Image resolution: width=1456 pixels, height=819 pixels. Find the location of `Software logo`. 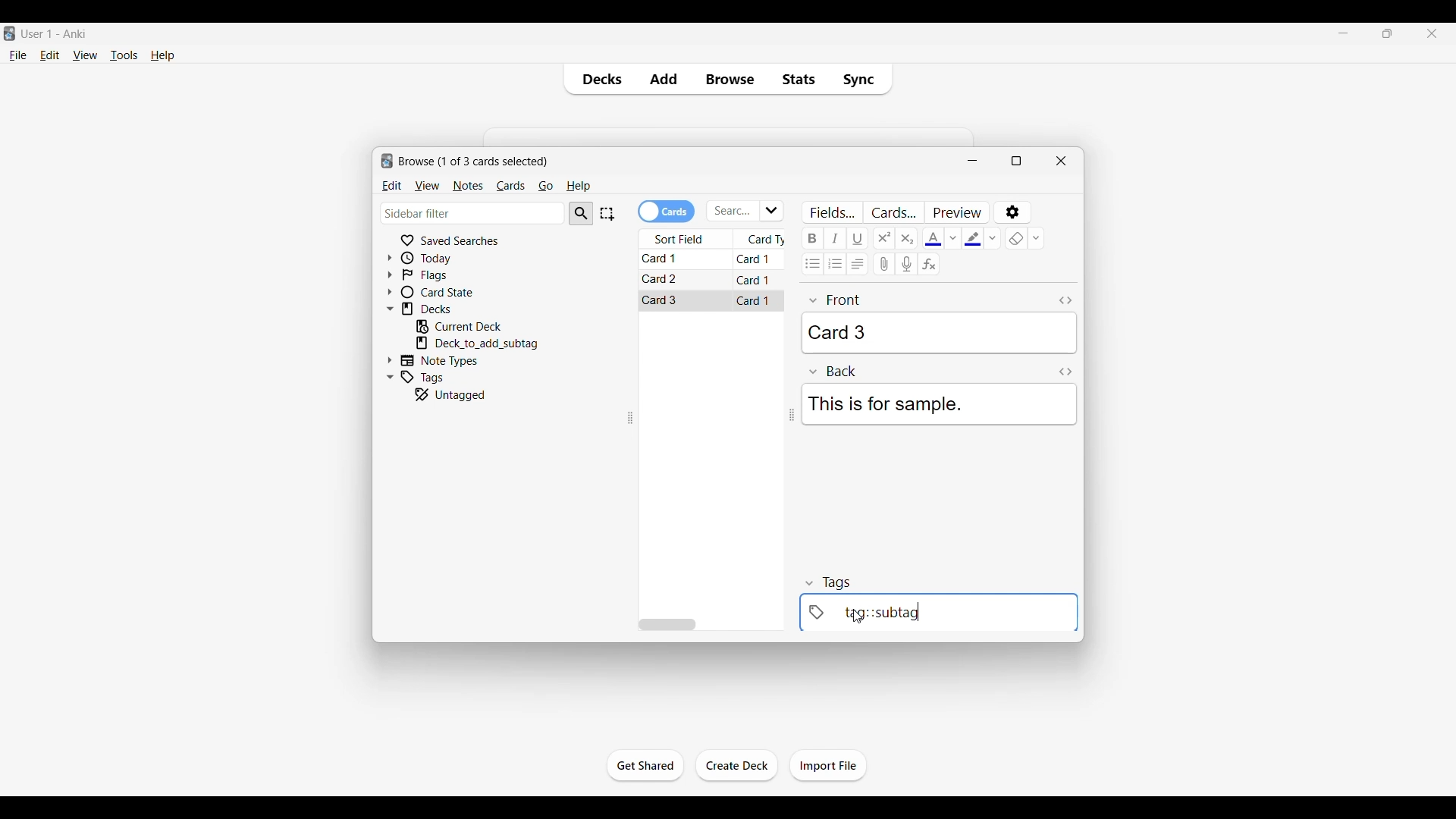

Software logo is located at coordinates (11, 33).